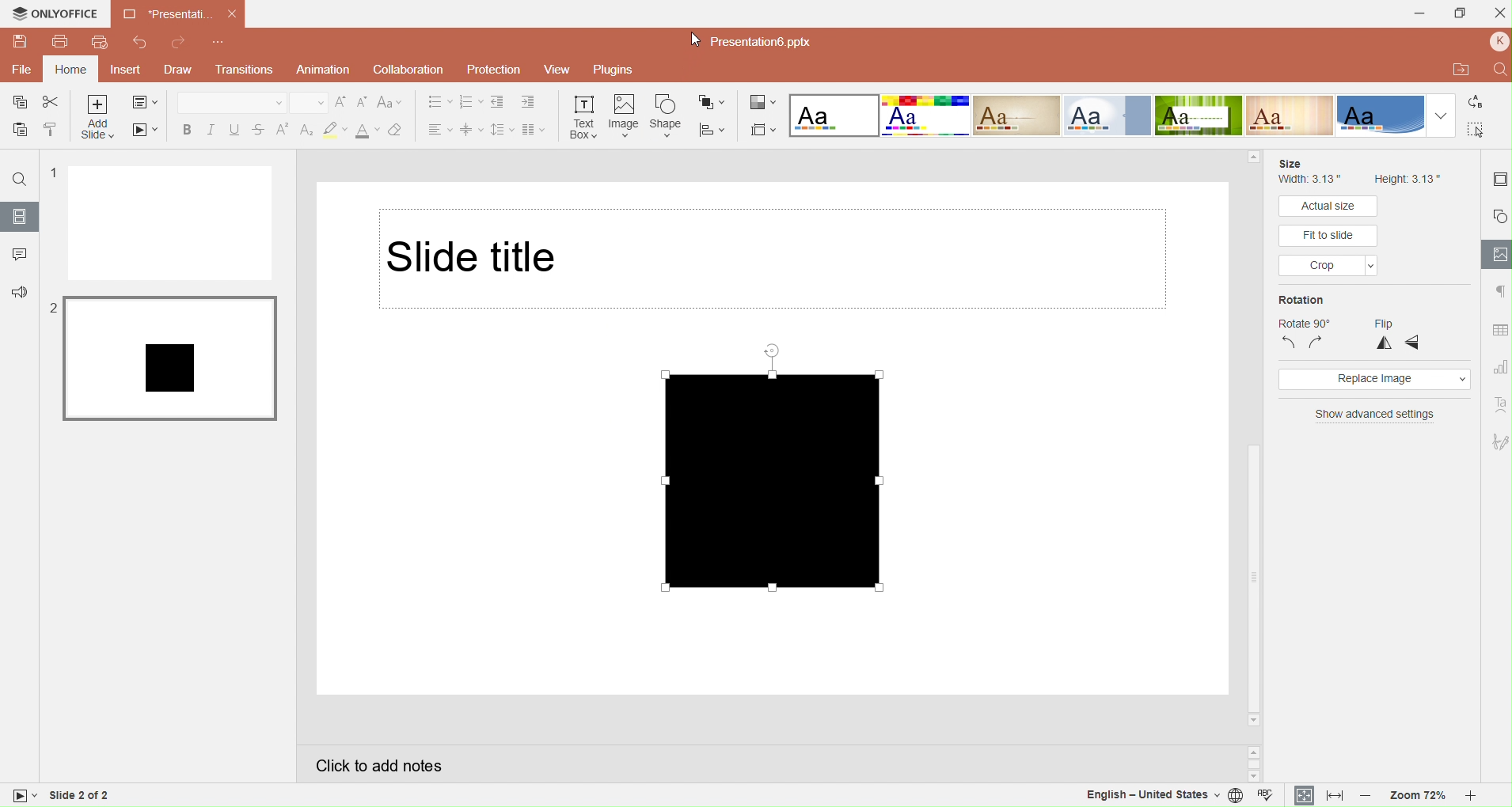 The height and width of the screenshot is (807, 1512). What do you see at coordinates (1149, 795) in the screenshot?
I see `Set text language` at bounding box center [1149, 795].